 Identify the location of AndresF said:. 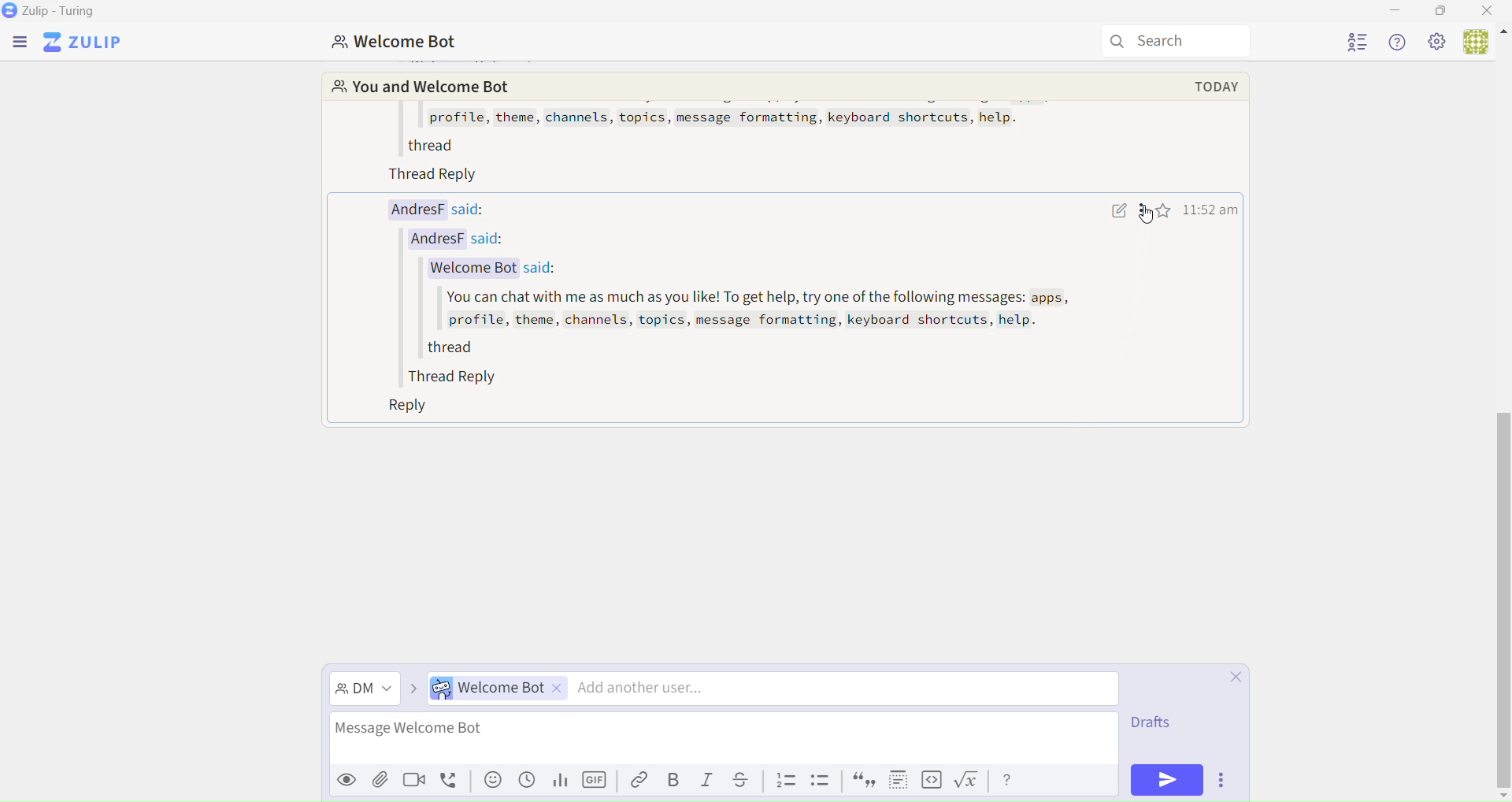
(469, 240).